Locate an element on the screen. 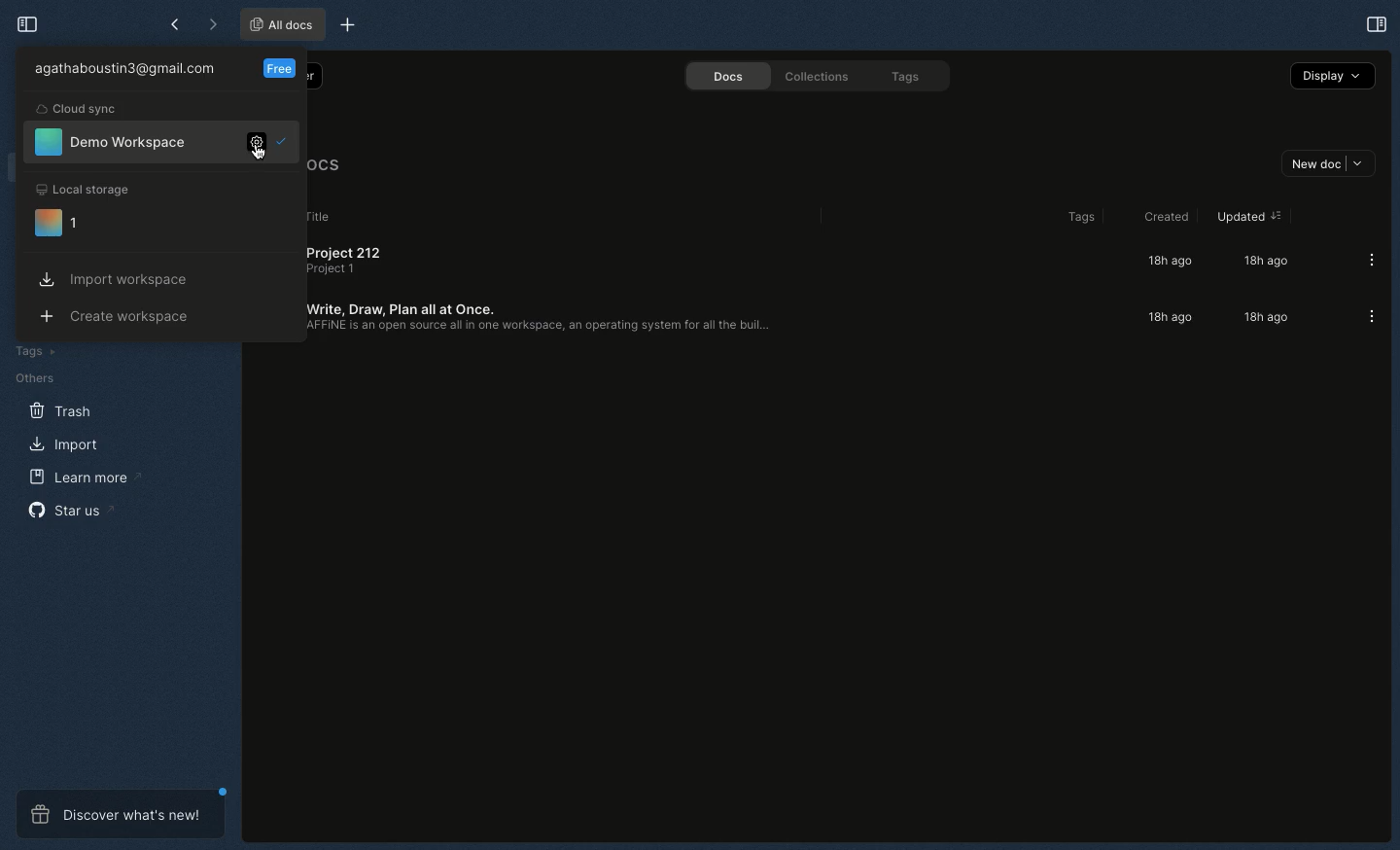 Image resolution: width=1400 pixels, height=850 pixels. Discover what's new! is located at coordinates (121, 815).